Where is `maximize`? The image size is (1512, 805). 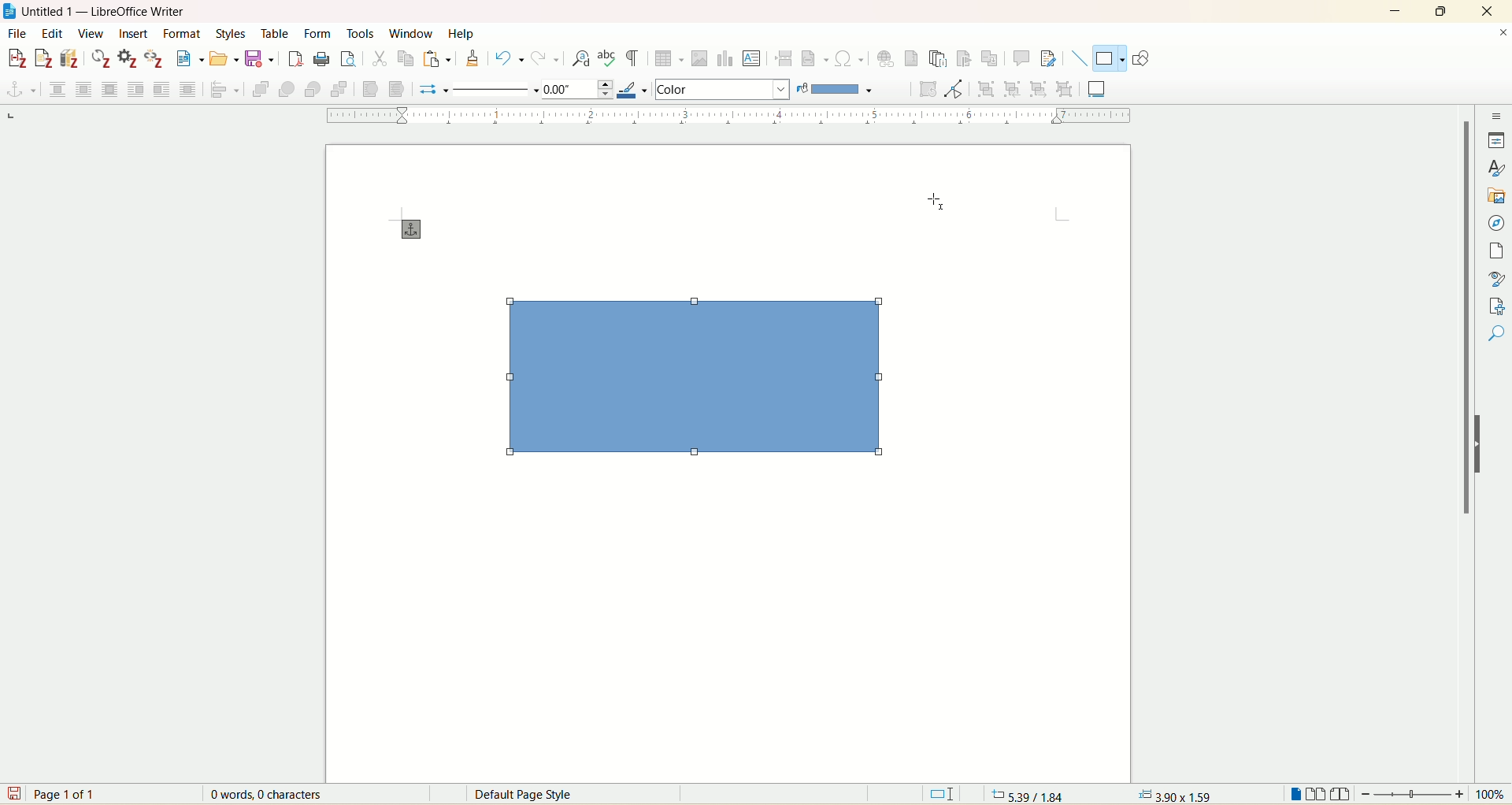
maximize is located at coordinates (1444, 10).